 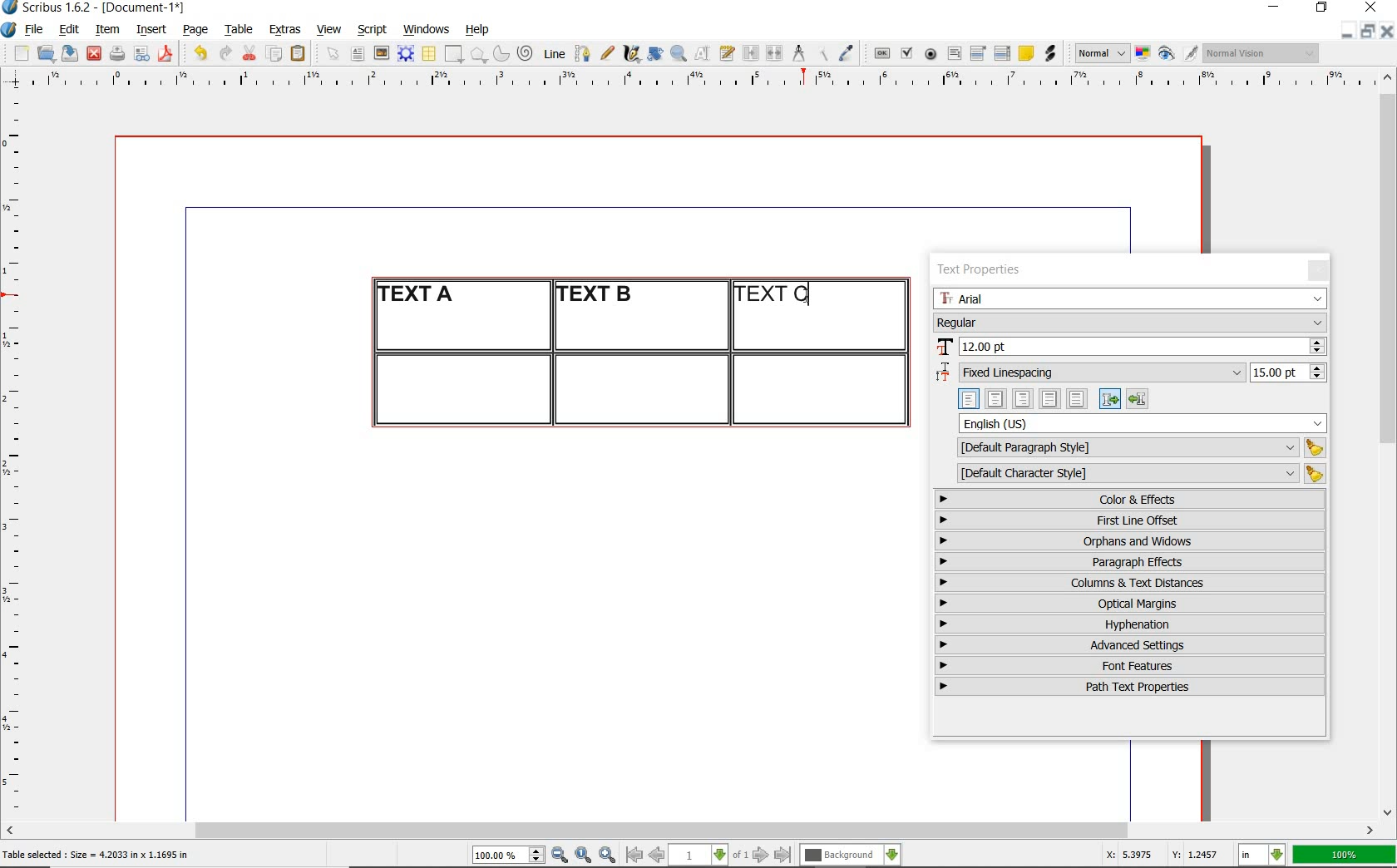 What do you see at coordinates (372, 29) in the screenshot?
I see `script` at bounding box center [372, 29].